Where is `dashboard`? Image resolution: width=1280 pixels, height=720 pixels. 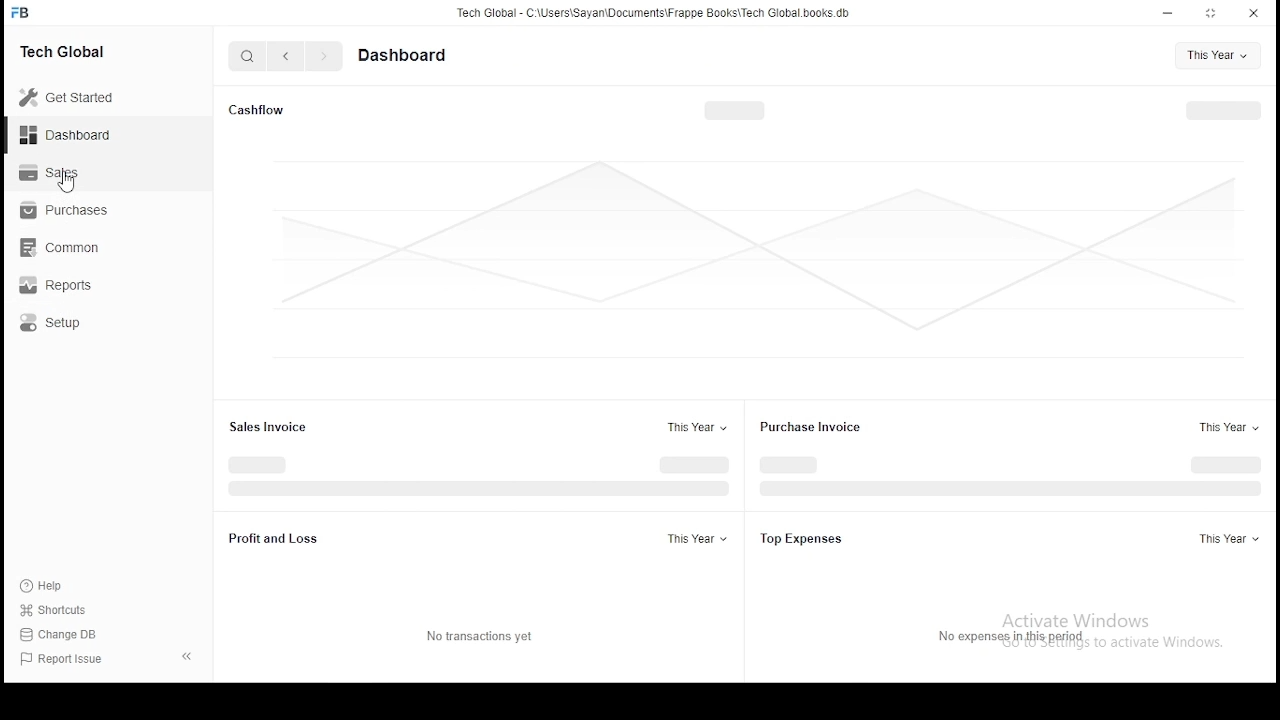 dashboard is located at coordinates (411, 54).